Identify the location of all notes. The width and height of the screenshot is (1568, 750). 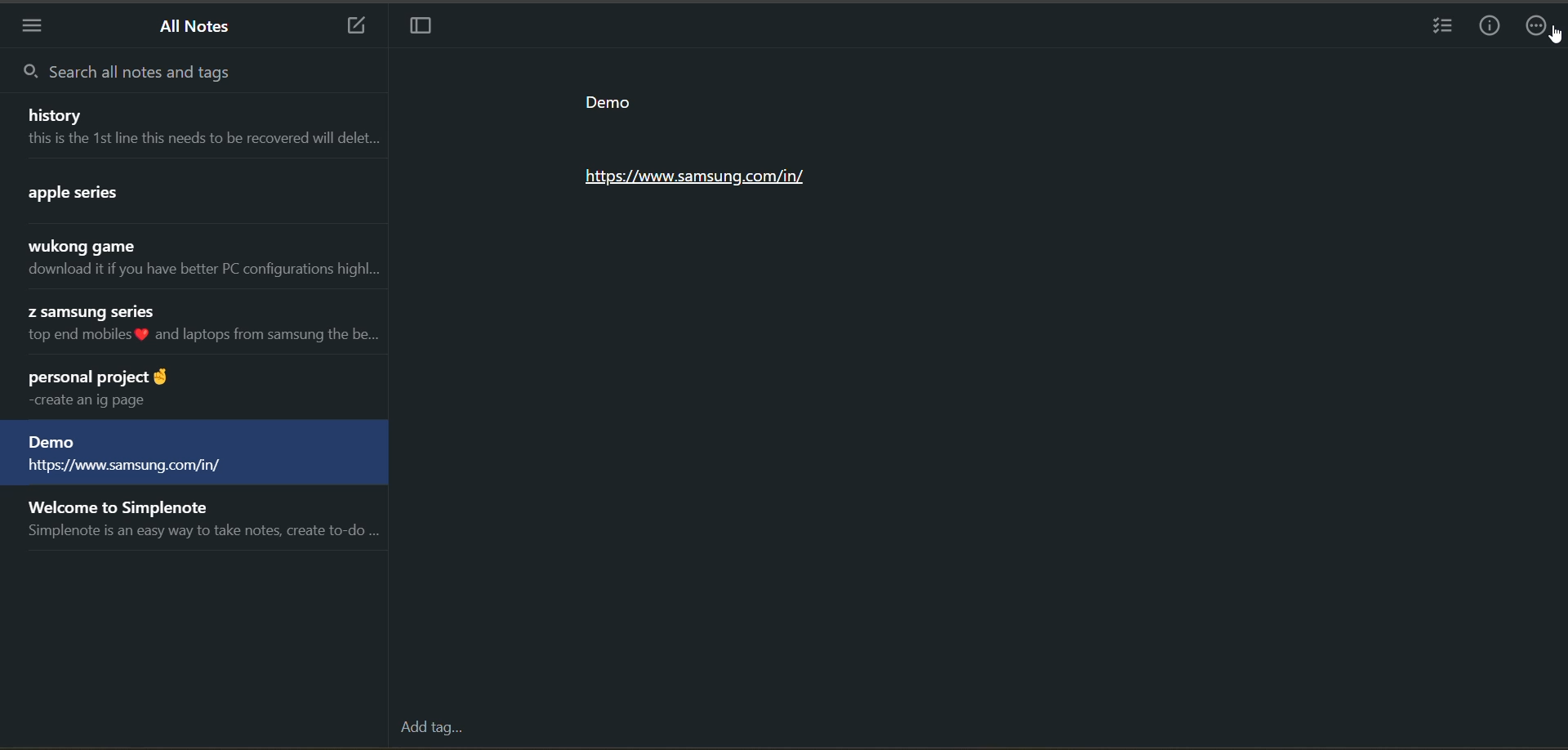
(199, 28).